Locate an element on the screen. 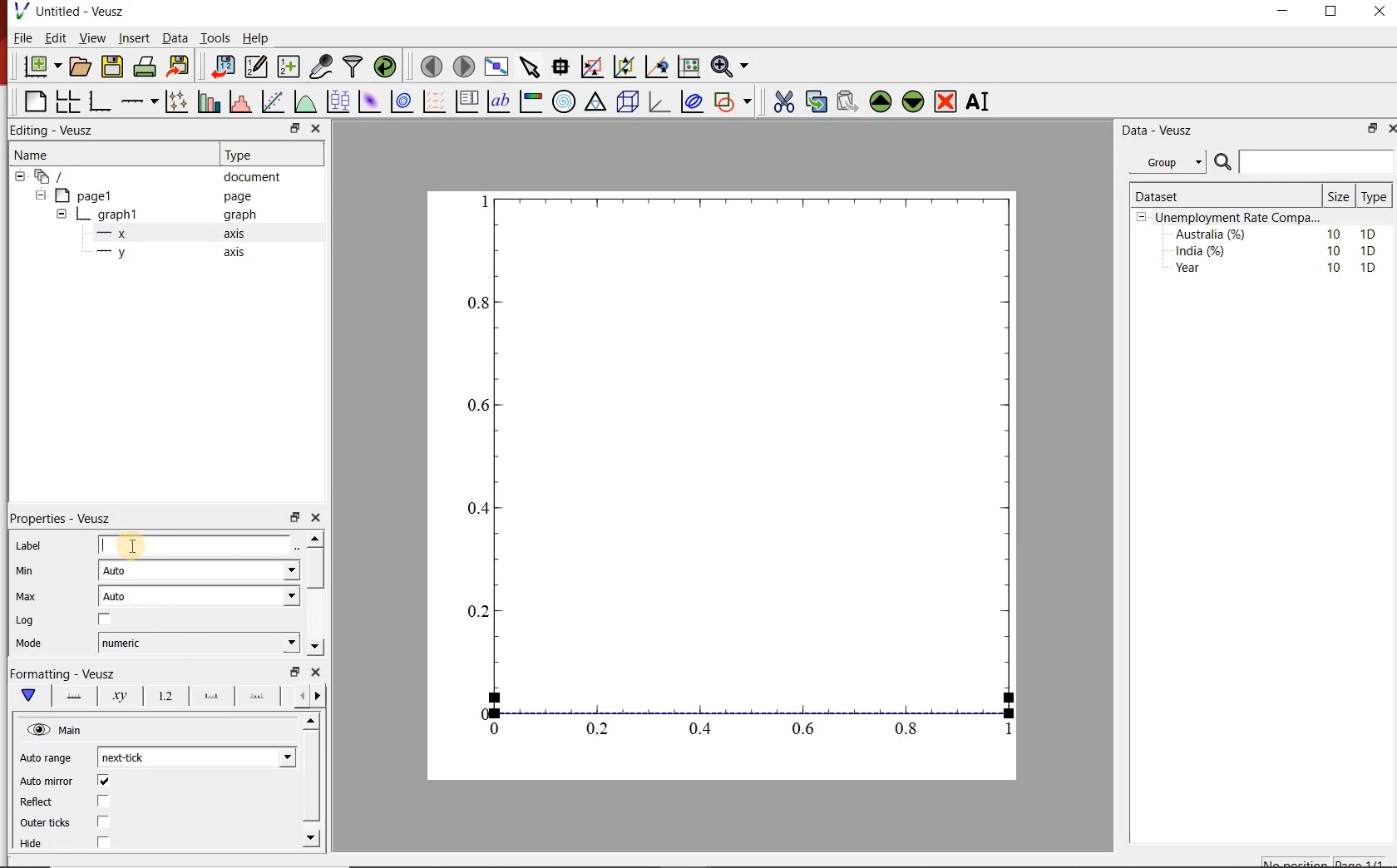 The width and height of the screenshot is (1397, 868). checkbox is located at coordinates (106, 782).